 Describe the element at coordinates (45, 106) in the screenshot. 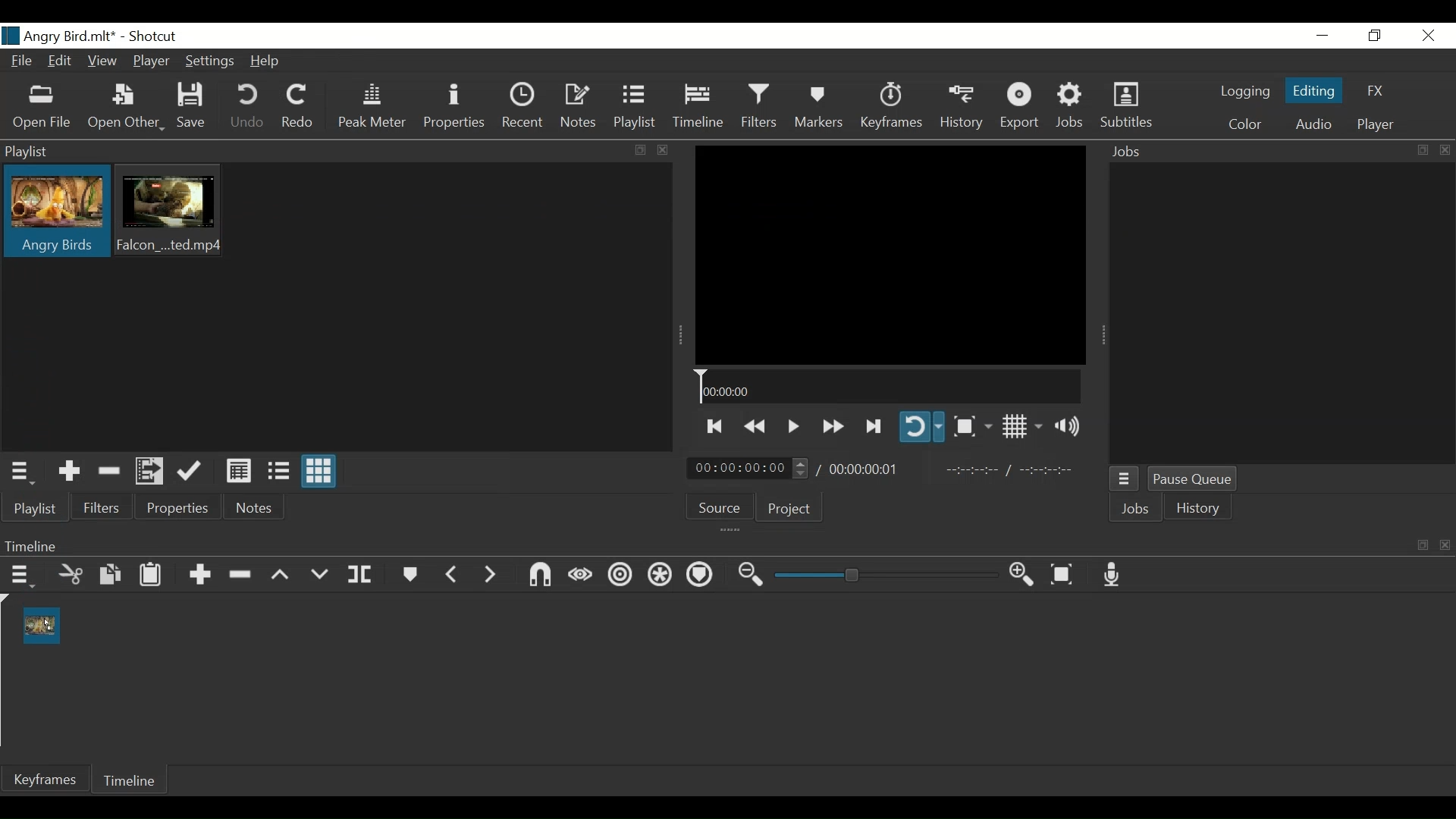

I see `Open File` at that location.